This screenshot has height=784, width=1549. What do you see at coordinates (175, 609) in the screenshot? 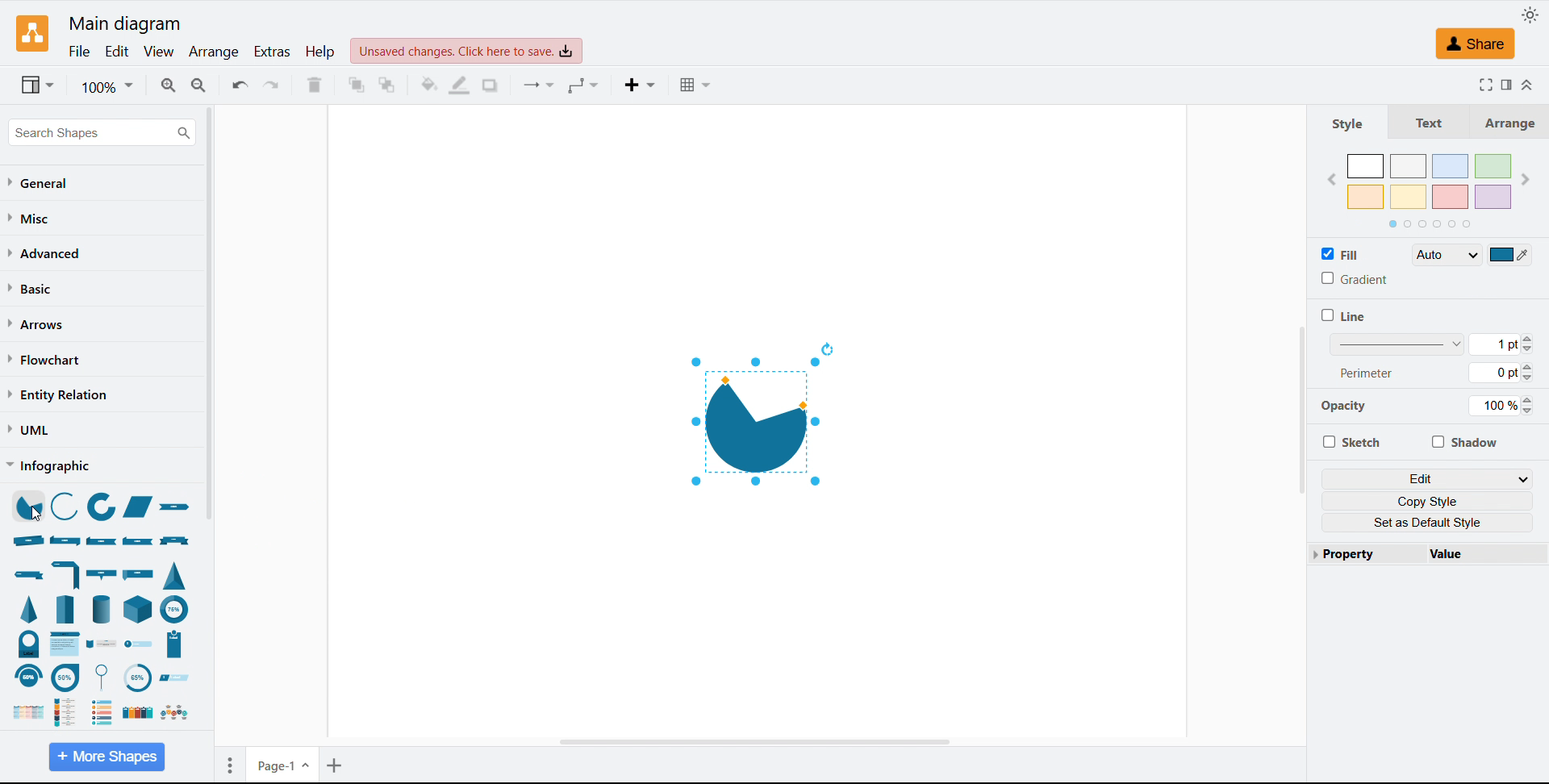
I see `partial concentric ellipse` at bounding box center [175, 609].